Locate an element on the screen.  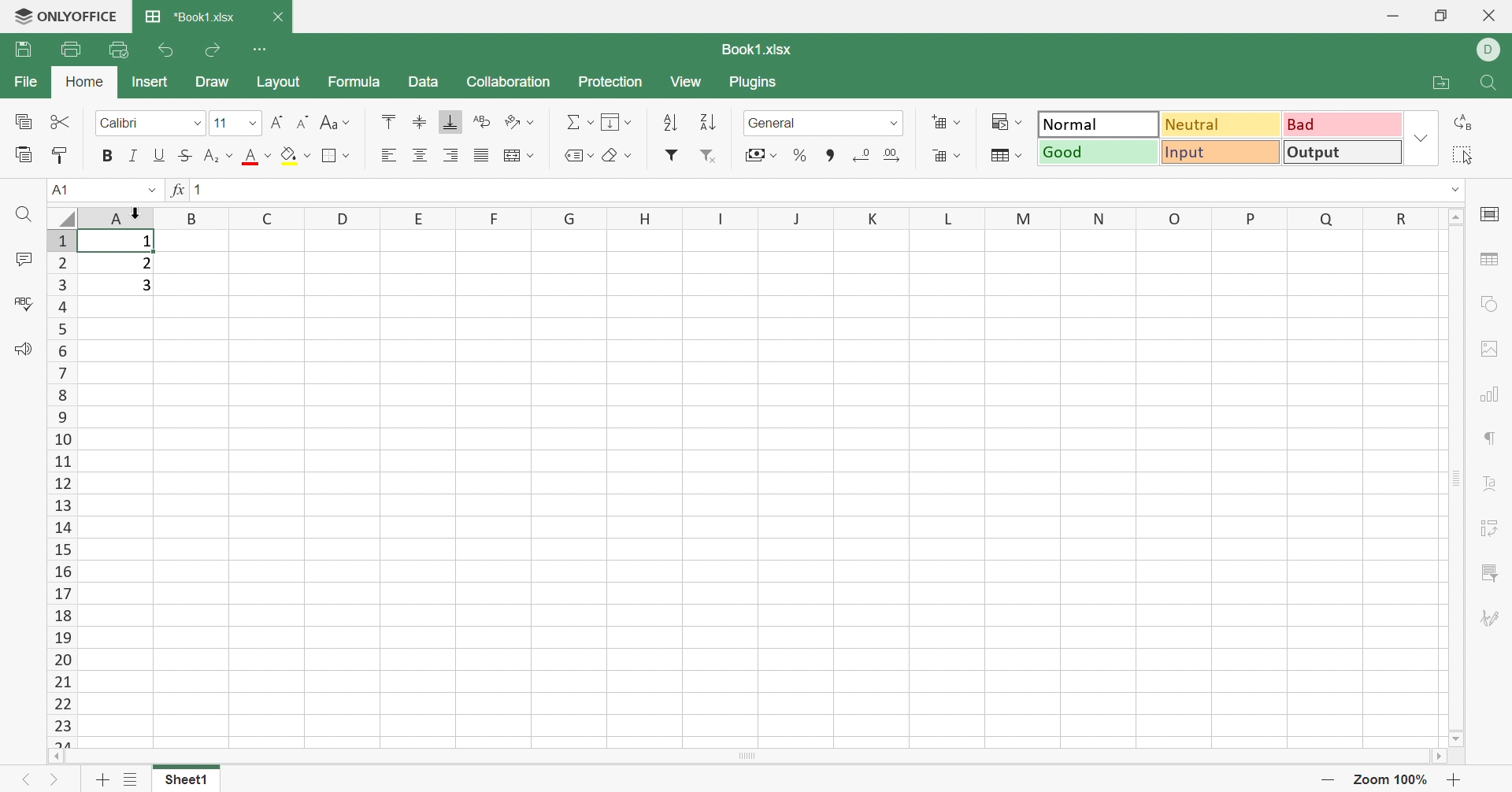
Good is located at coordinates (1099, 152).